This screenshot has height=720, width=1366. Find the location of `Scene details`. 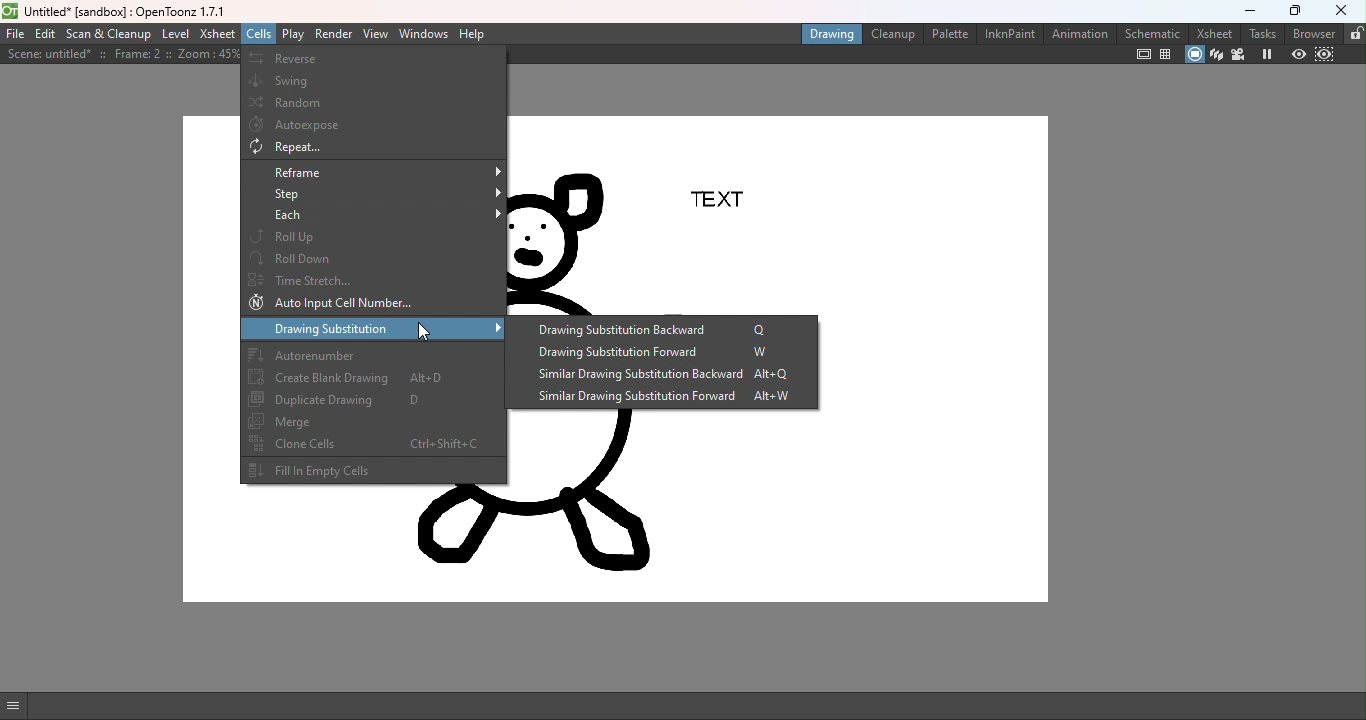

Scene details is located at coordinates (120, 56).